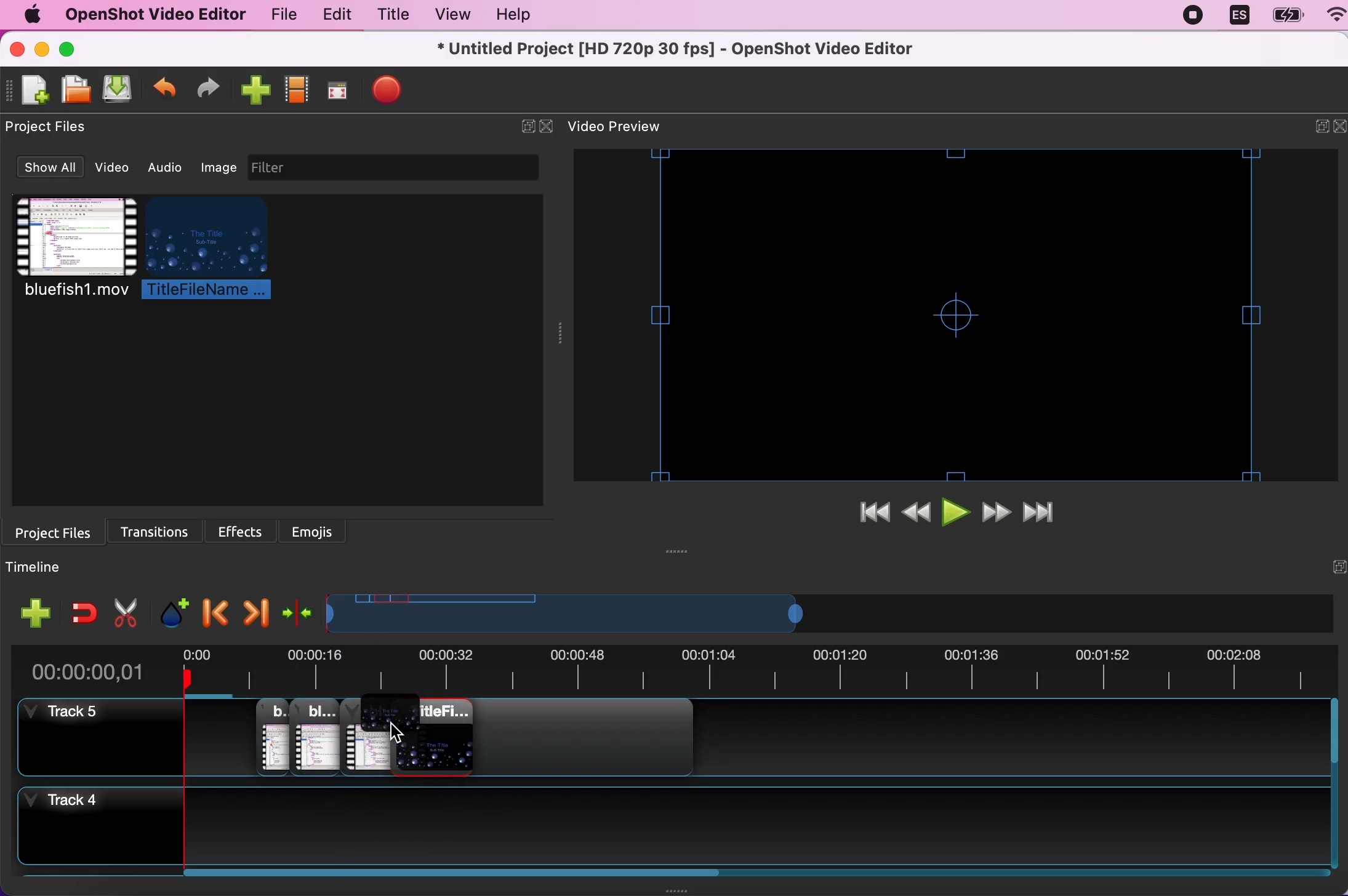  I want to click on project files, so click(54, 127).